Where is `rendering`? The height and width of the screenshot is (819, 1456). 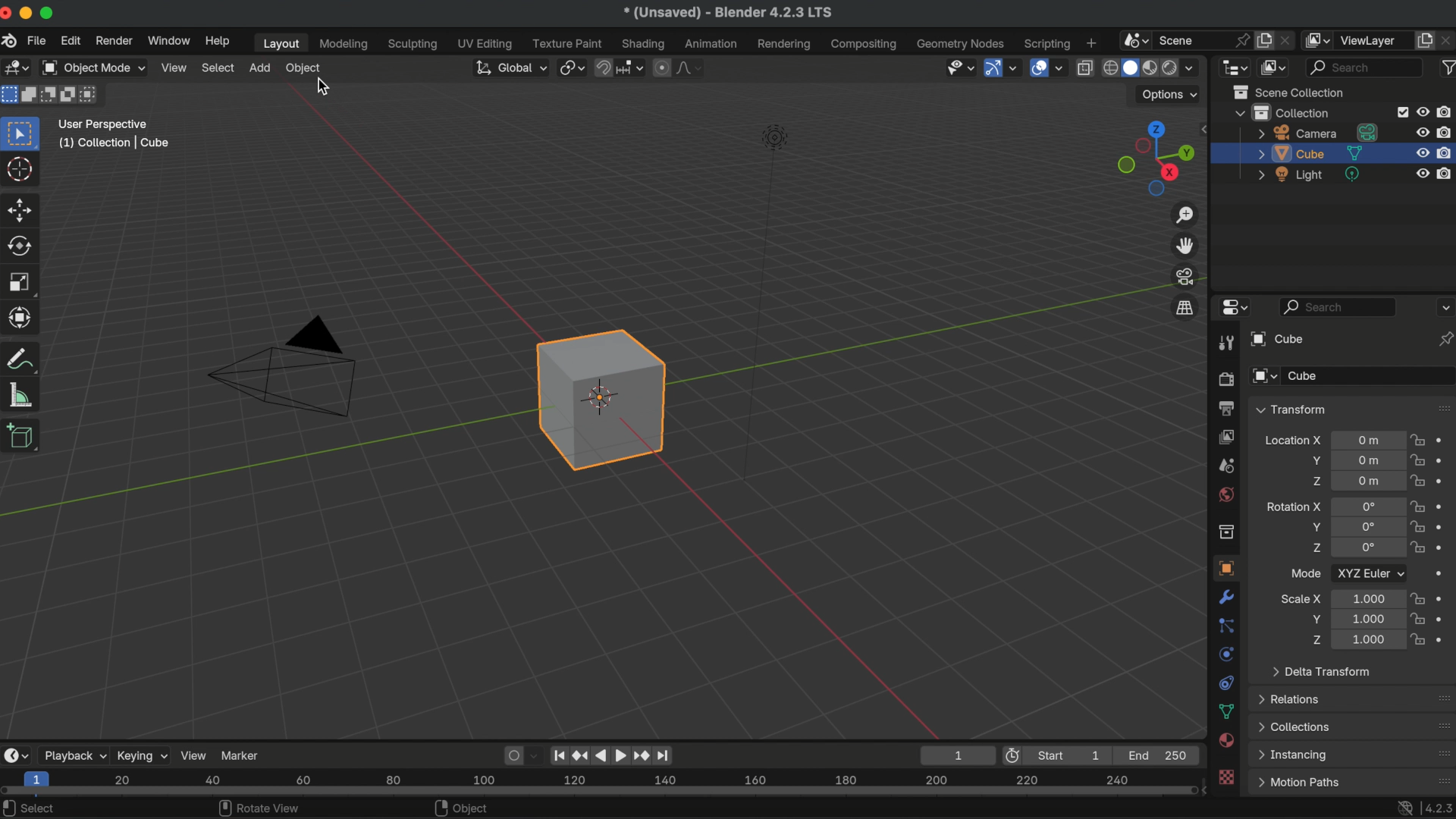
rendering is located at coordinates (784, 44).